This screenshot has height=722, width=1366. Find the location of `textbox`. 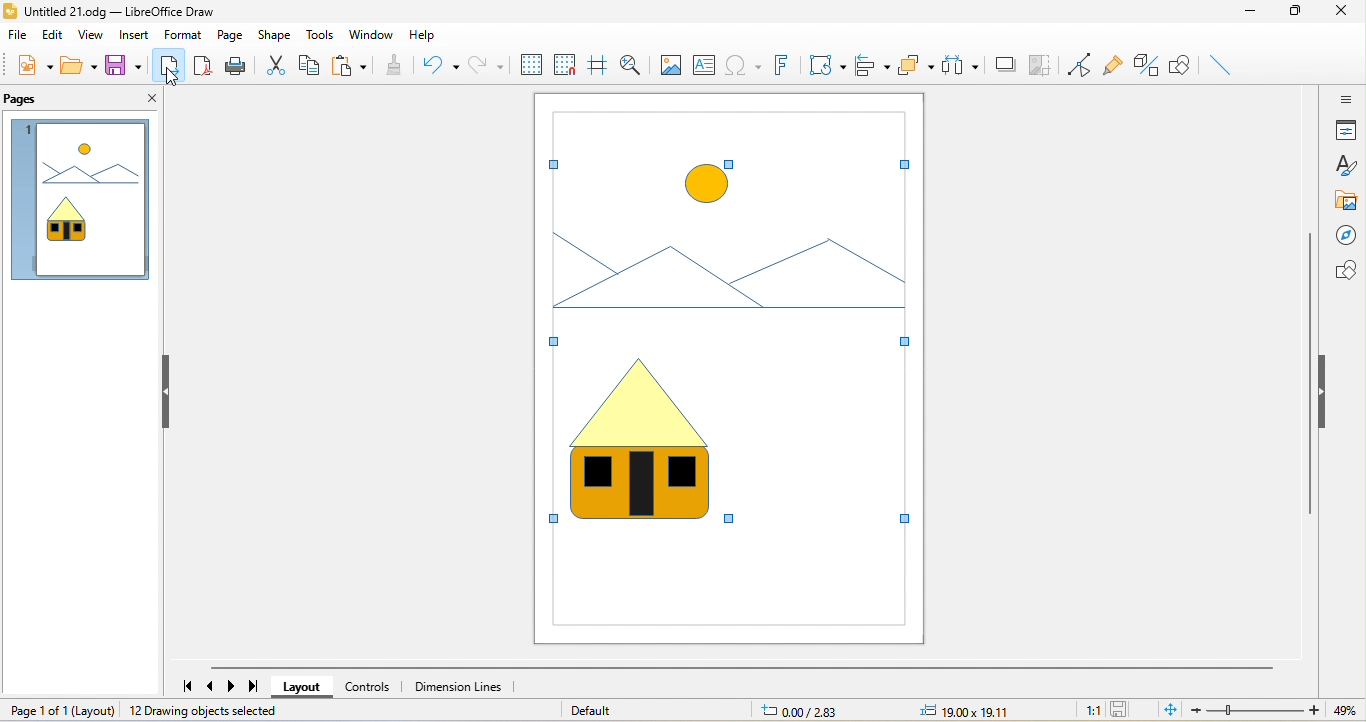

textbox is located at coordinates (707, 66).